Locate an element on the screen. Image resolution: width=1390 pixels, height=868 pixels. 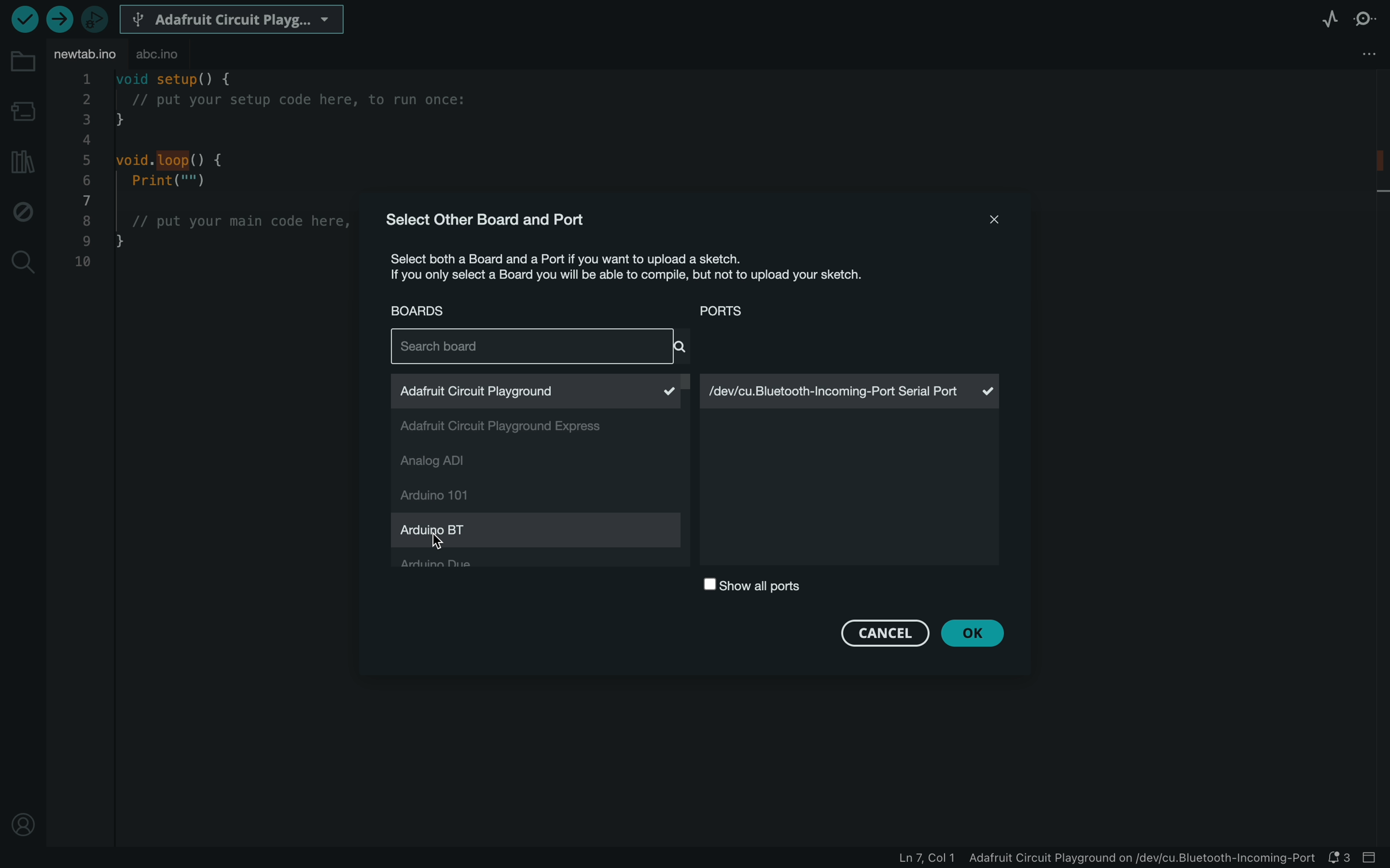
cancel is located at coordinates (883, 634).